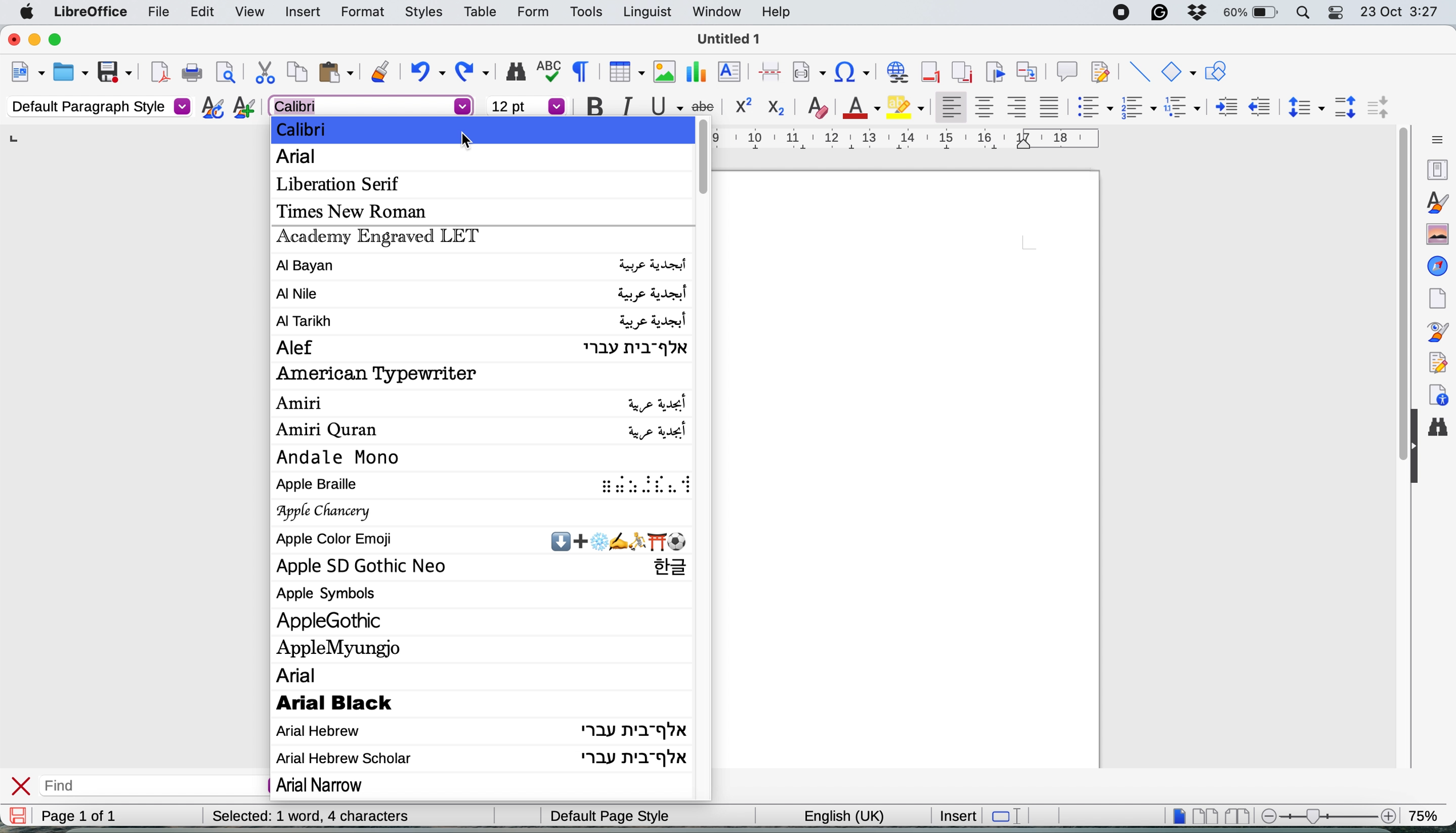  What do you see at coordinates (88, 14) in the screenshot?
I see `libreoffice` at bounding box center [88, 14].